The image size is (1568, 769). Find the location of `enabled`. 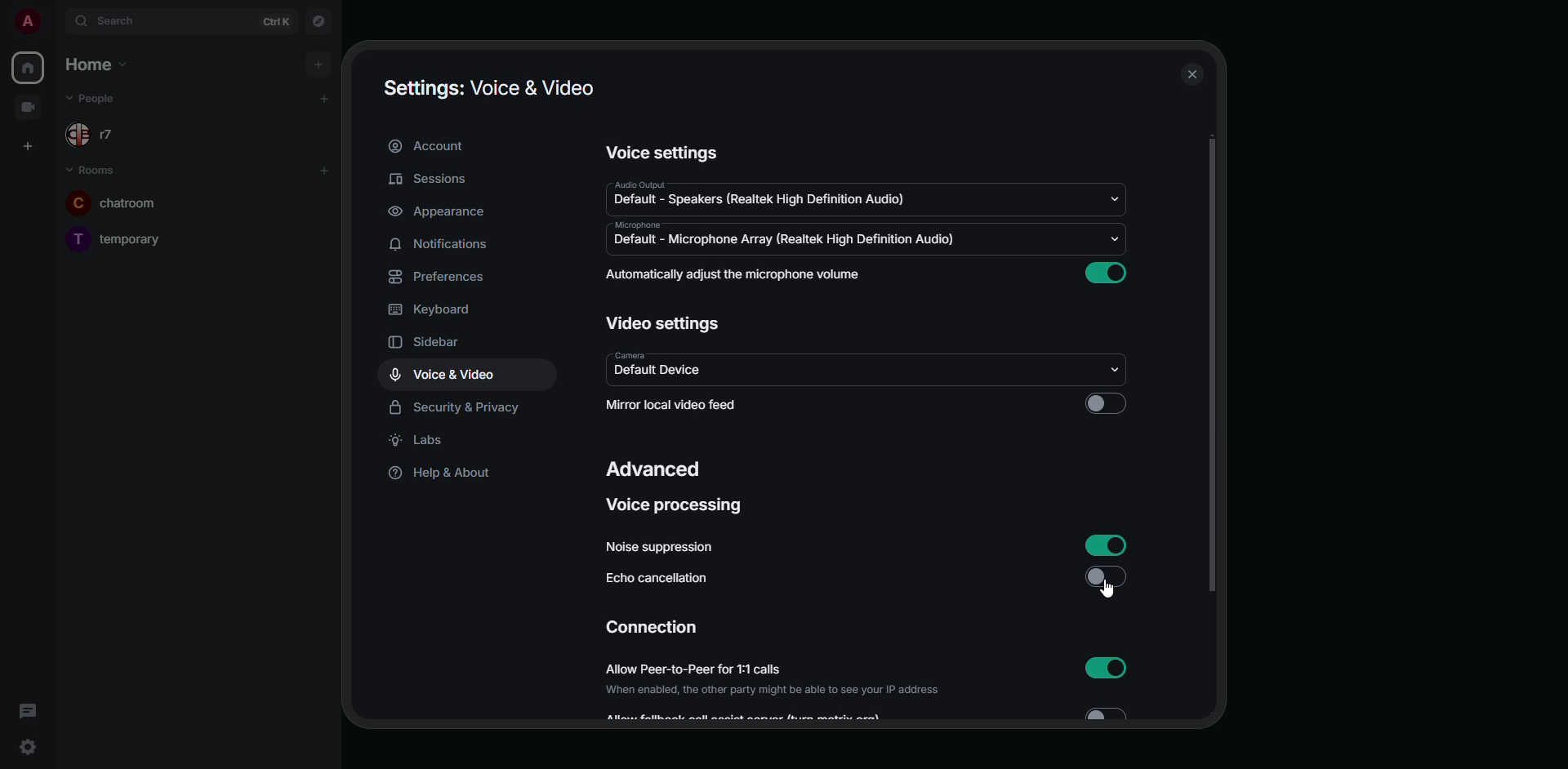

enabled is located at coordinates (1111, 272).